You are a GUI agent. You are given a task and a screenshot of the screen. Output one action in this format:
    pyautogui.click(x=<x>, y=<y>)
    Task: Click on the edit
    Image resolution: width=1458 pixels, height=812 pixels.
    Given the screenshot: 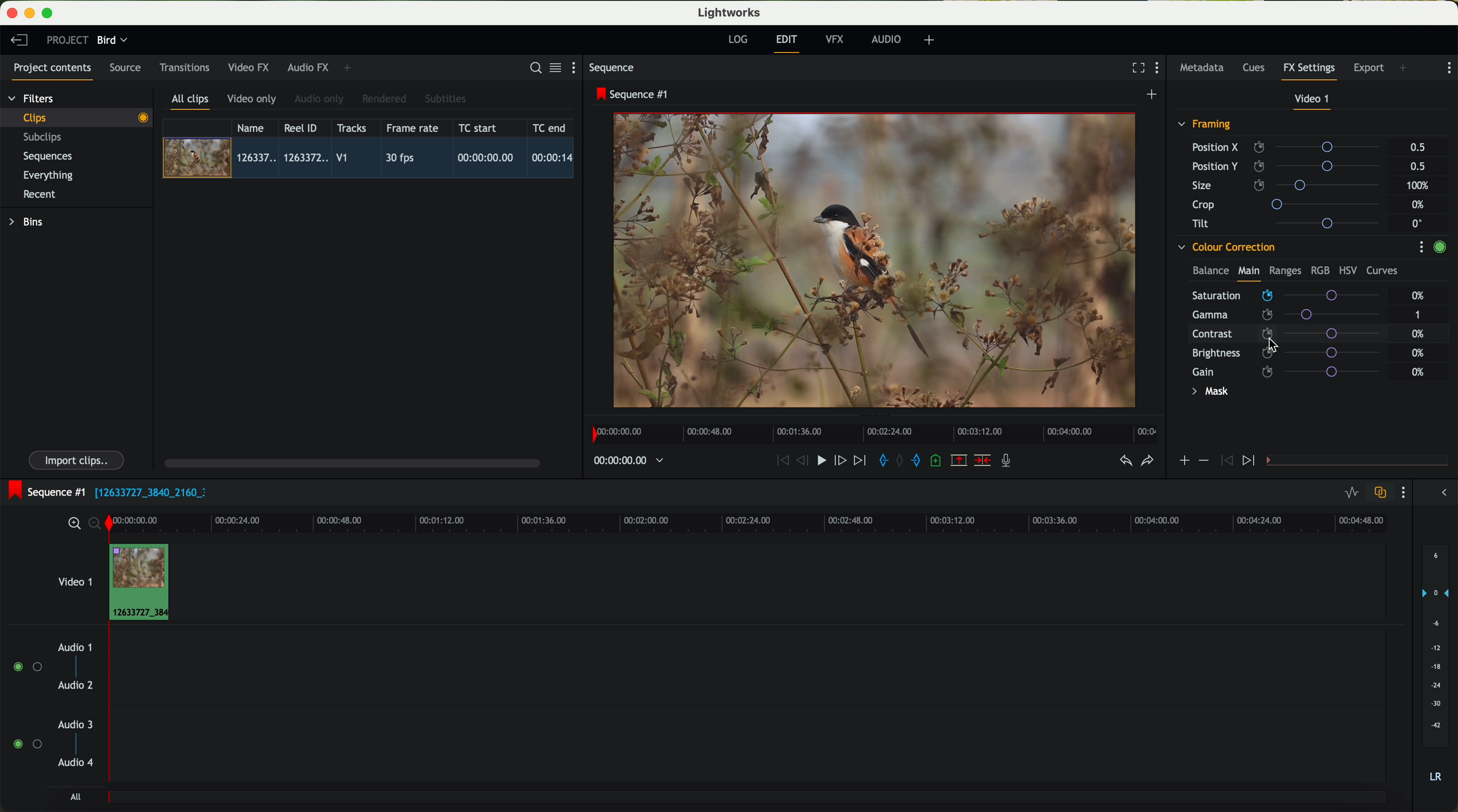 What is the action you would take?
    pyautogui.click(x=788, y=42)
    